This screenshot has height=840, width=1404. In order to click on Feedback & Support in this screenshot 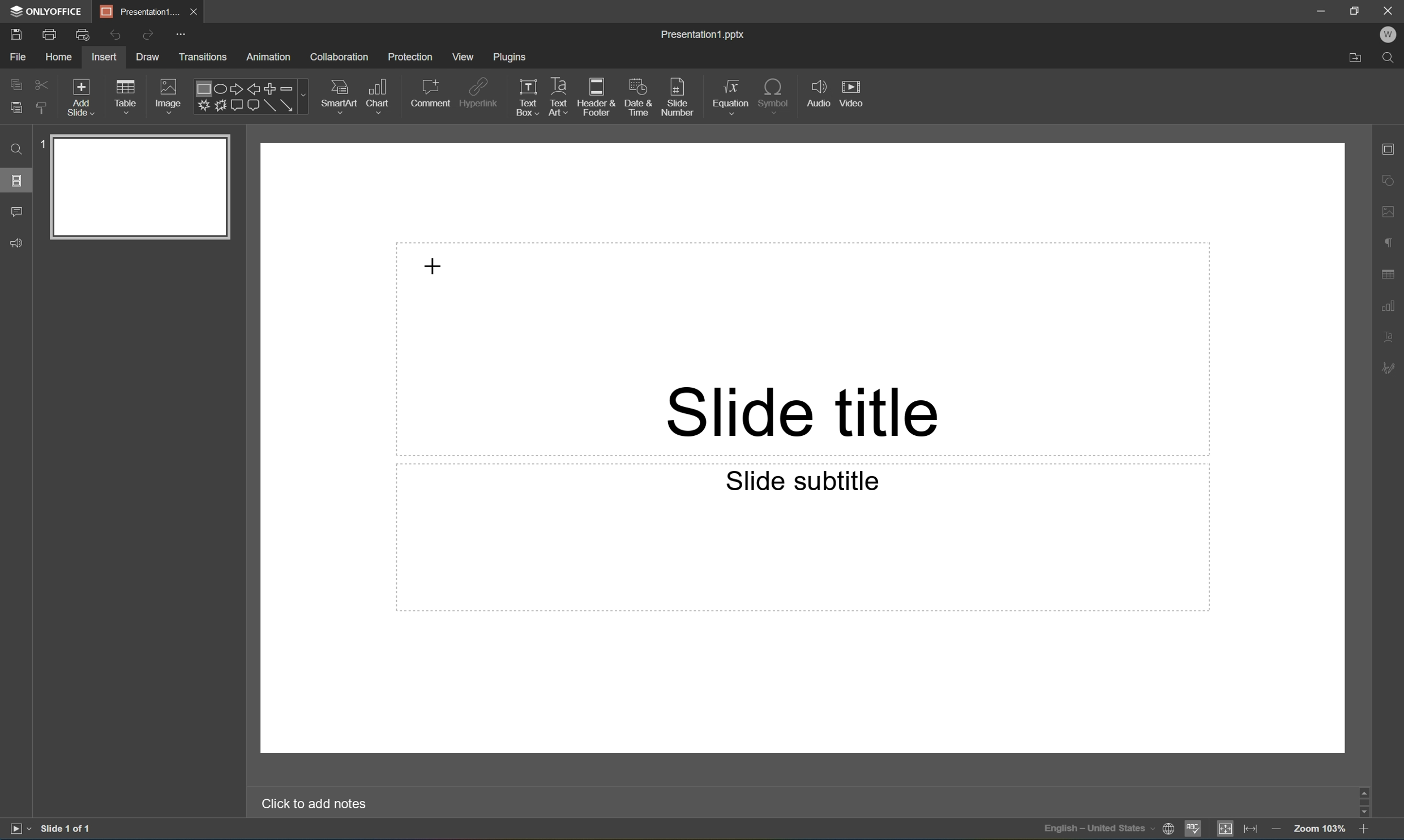, I will do `click(18, 243)`.